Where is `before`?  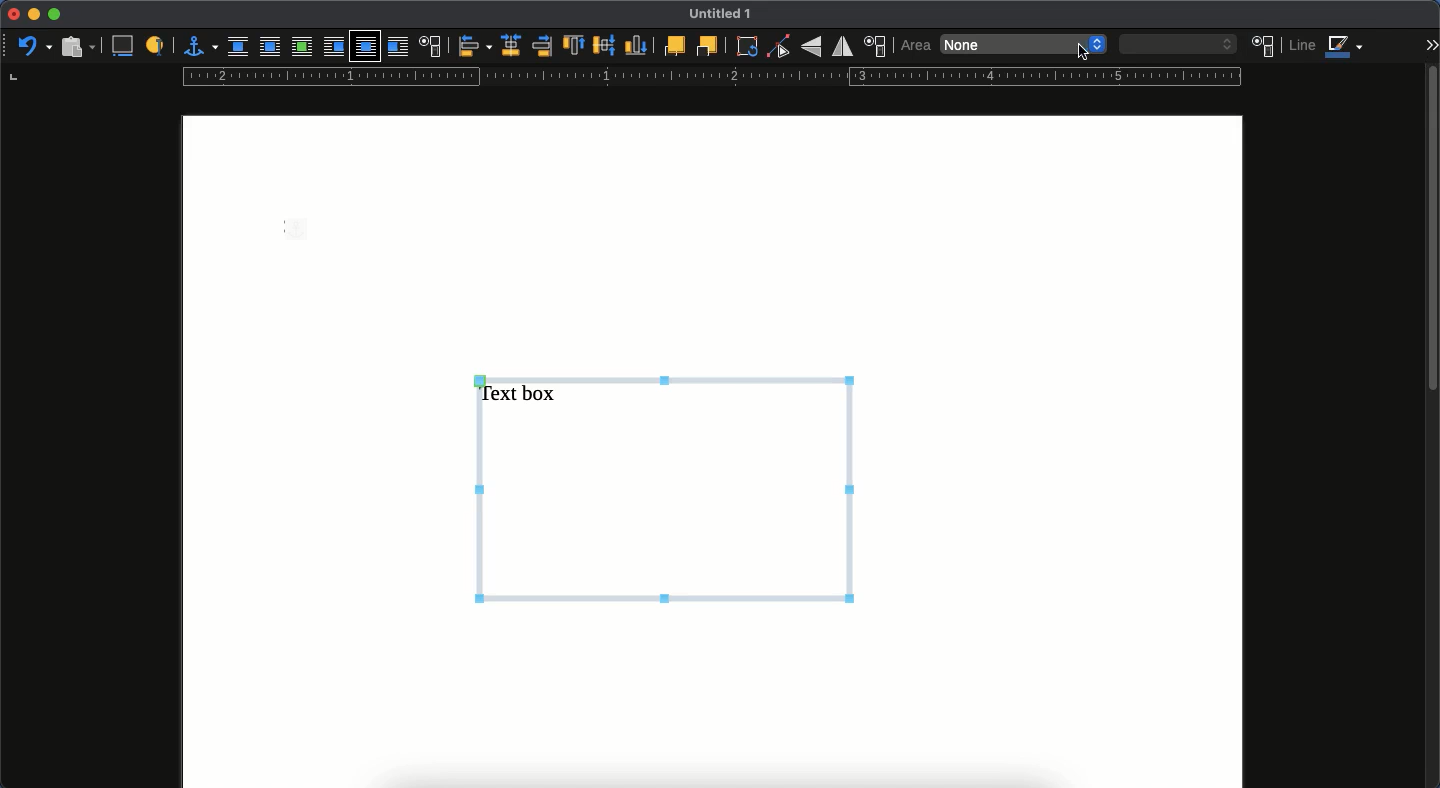 before is located at coordinates (332, 48).